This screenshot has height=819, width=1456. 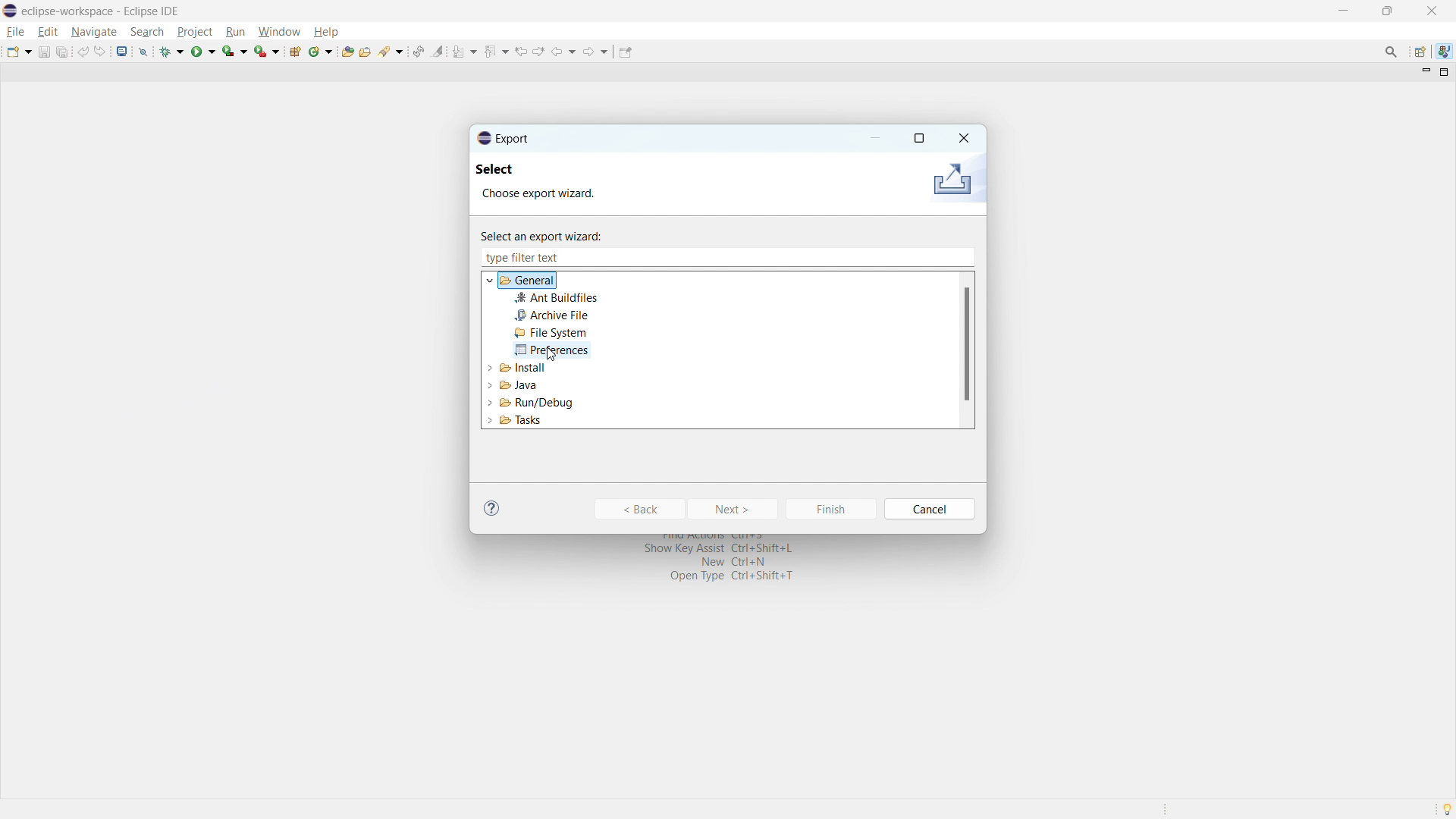 I want to click on java, so click(x=516, y=383).